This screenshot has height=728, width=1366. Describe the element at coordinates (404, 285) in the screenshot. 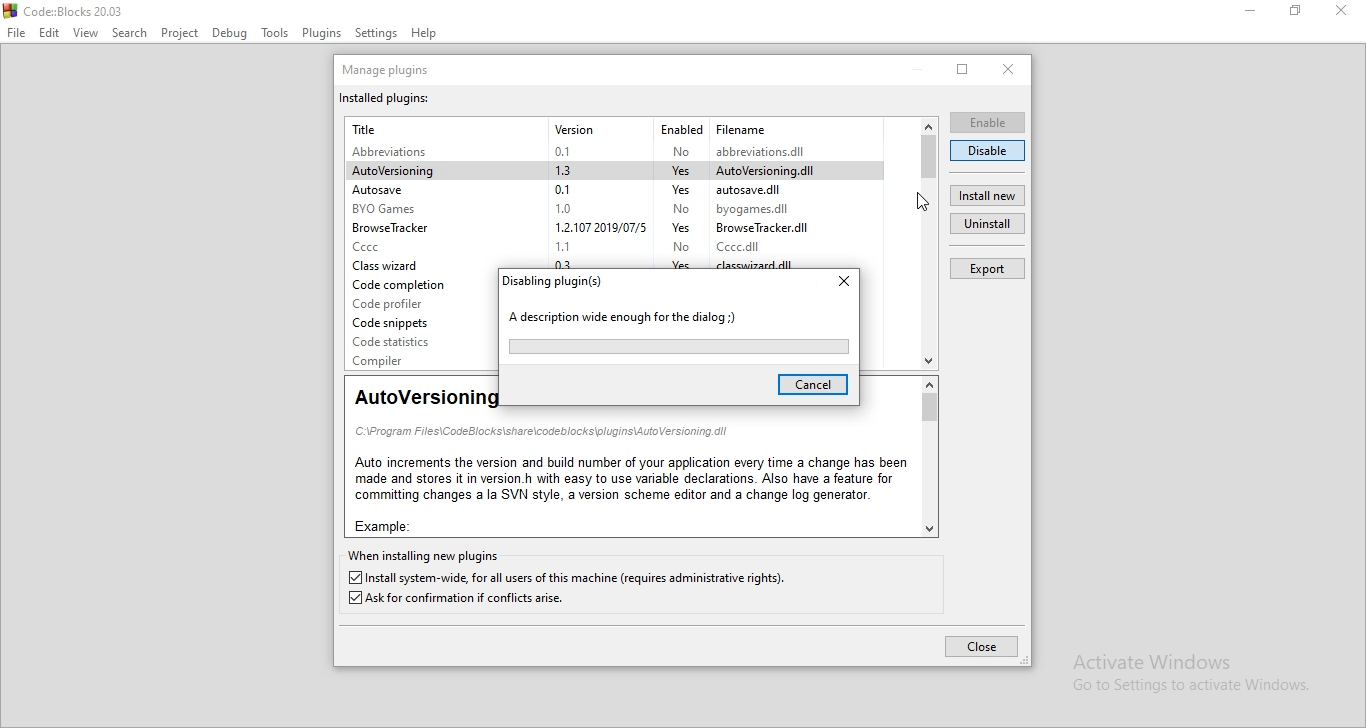

I see `Code completion` at that location.